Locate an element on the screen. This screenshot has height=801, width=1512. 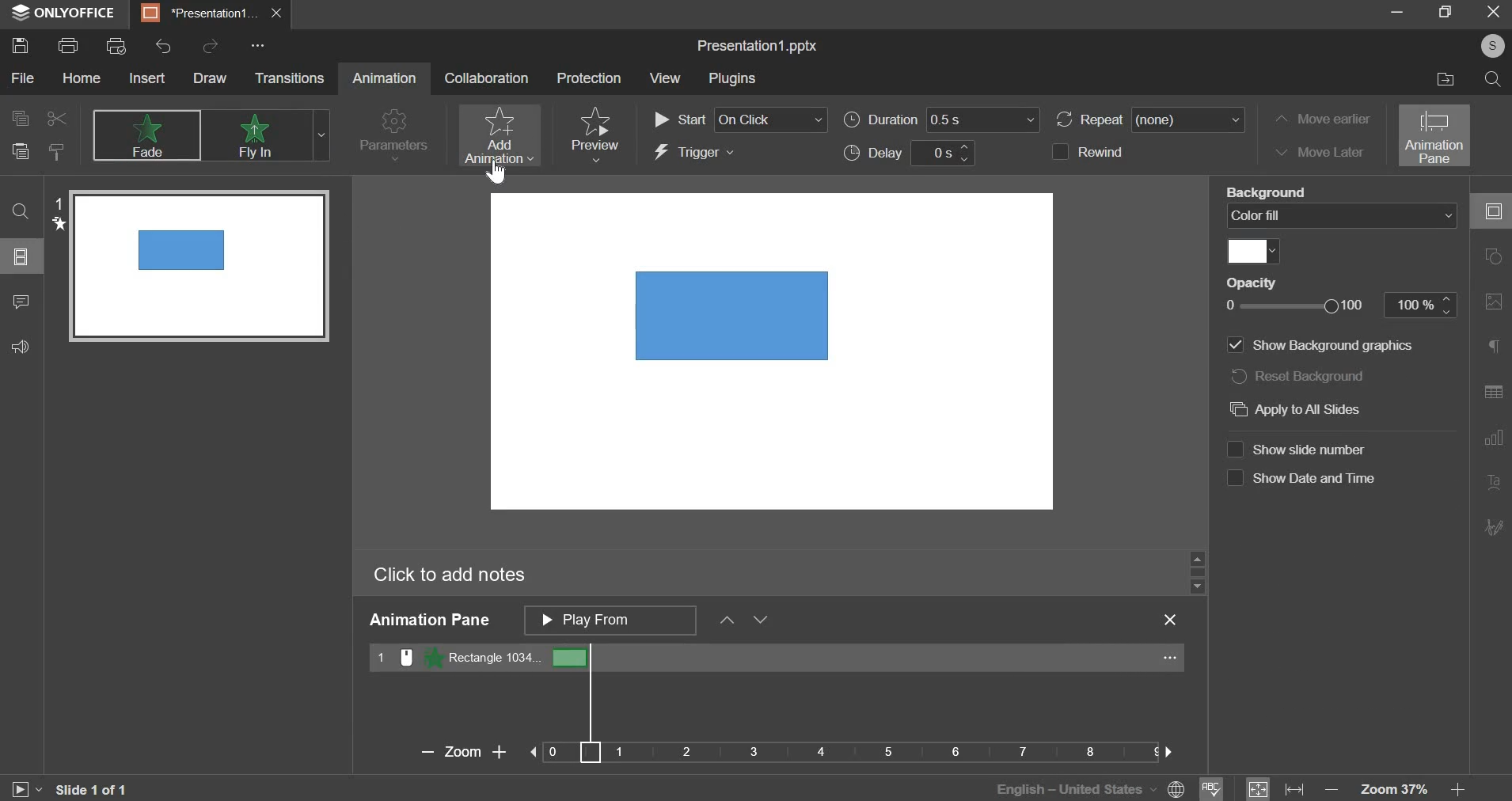
delay is located at coordinates (913, 154).